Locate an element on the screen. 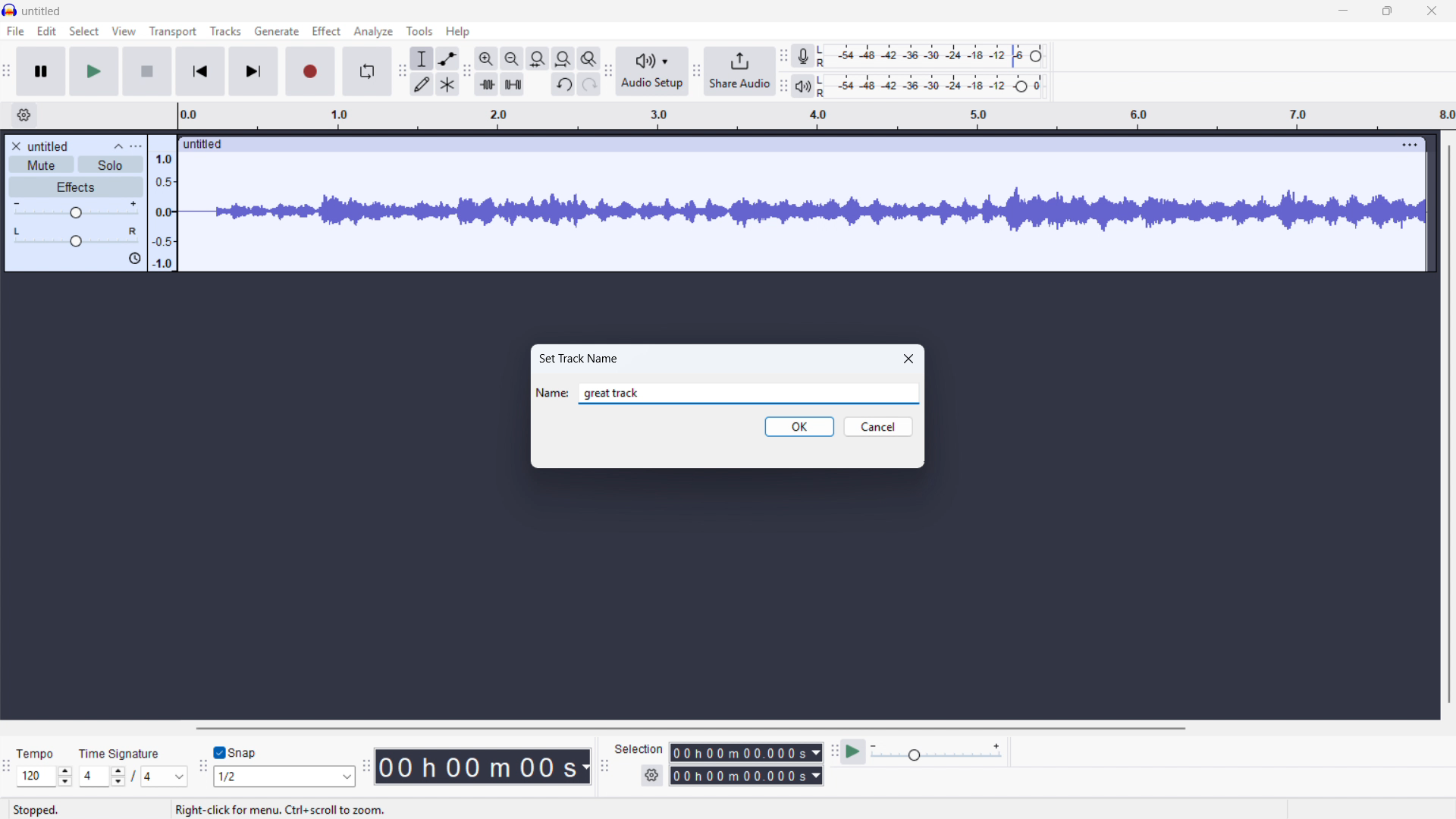 This screenshot has width=1456, height=819. Horizontal scroll bar is located at coordinates (809, 729).